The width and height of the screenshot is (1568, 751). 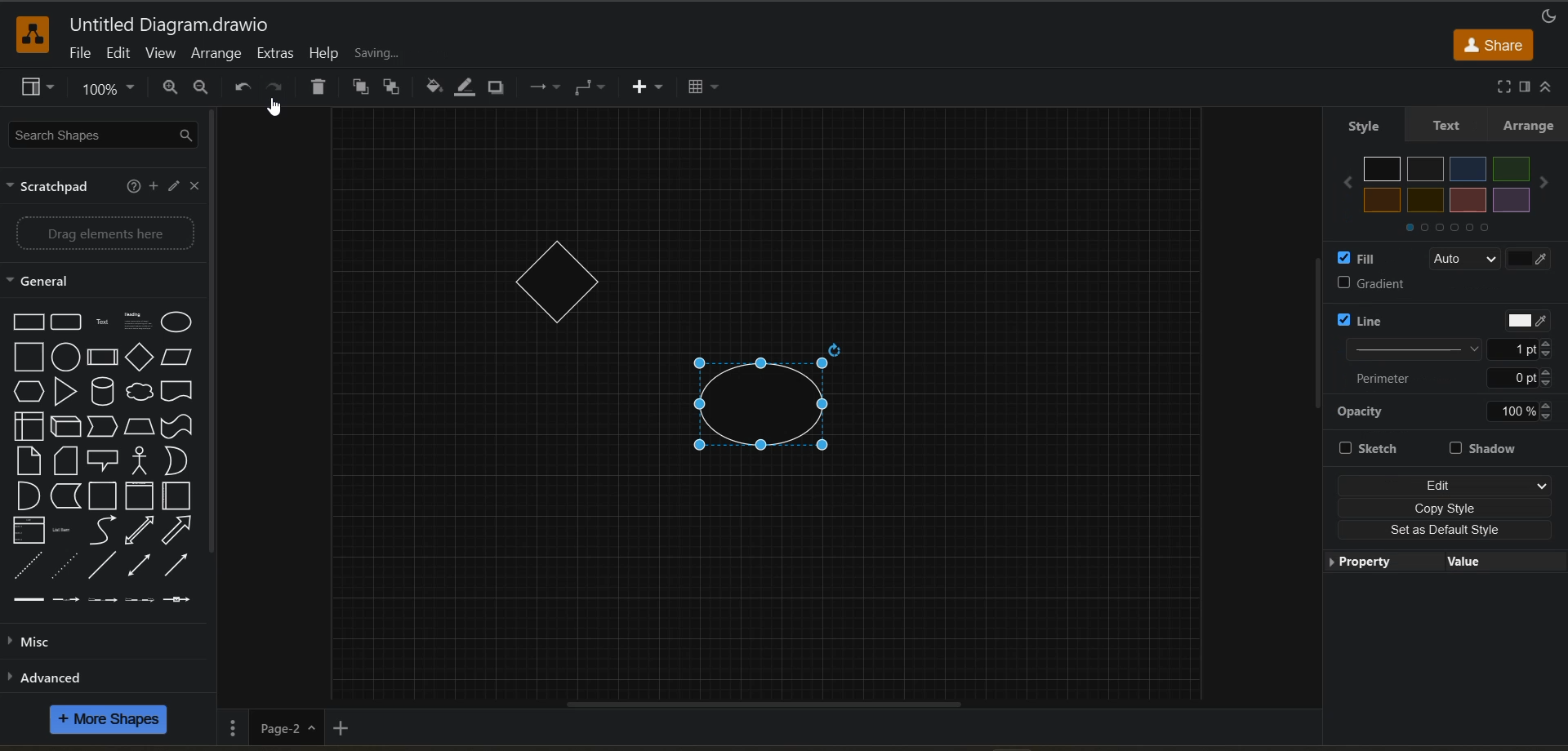 What do you see at coordinates (101, 323) in the screenshot?
I see `text` at bounding box center [101, 323].